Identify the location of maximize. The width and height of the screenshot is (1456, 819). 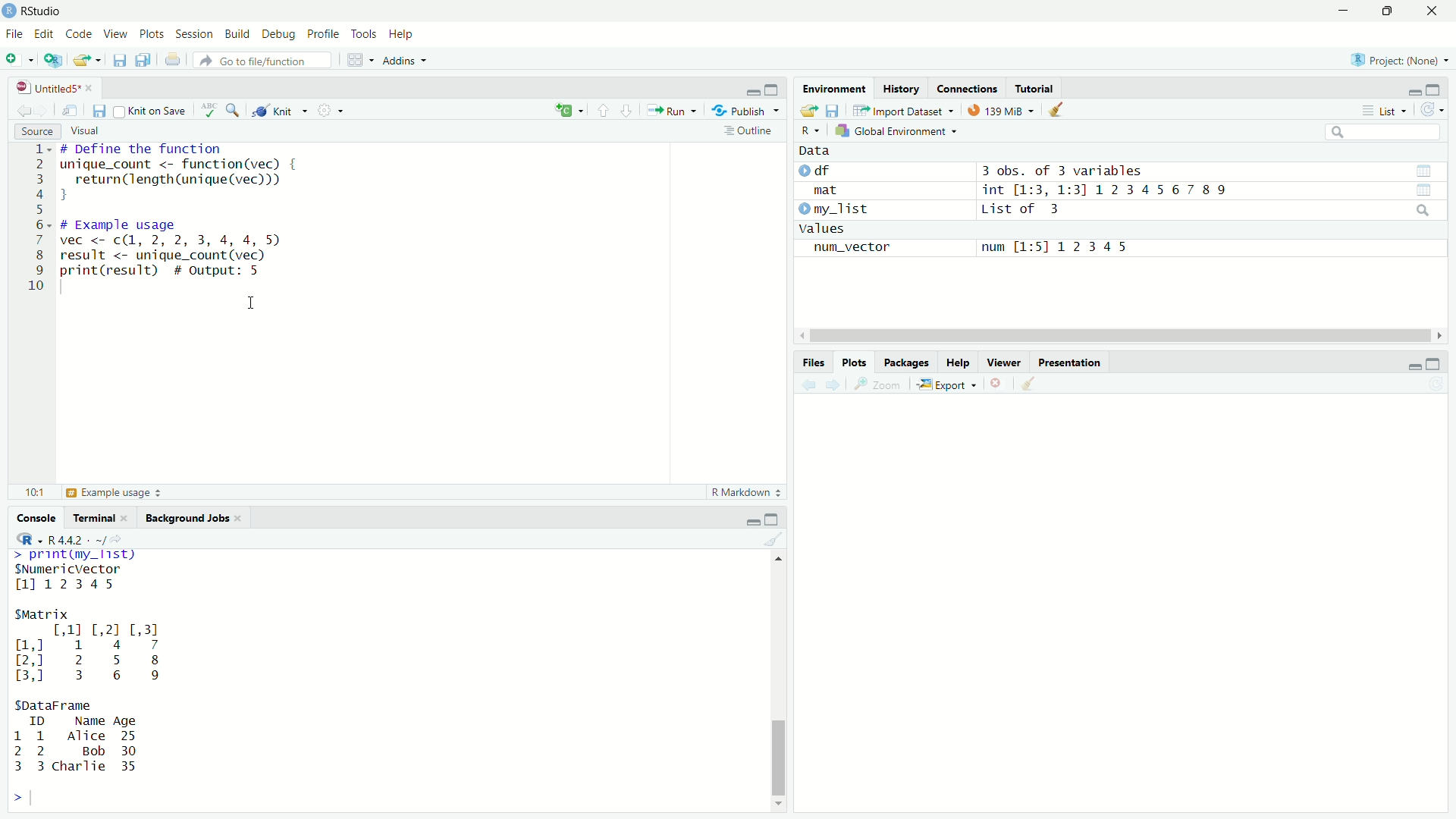
(1432, 364).